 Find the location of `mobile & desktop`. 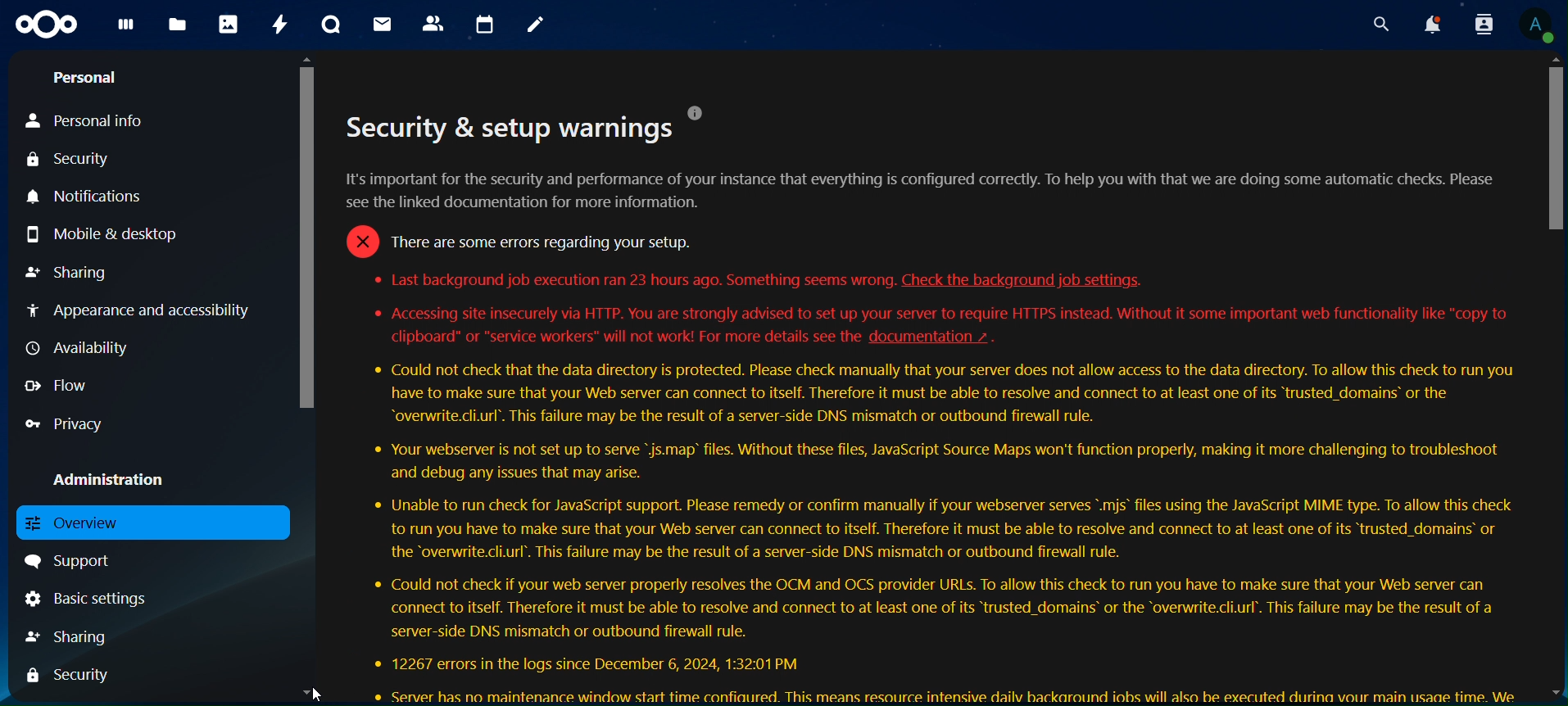

mobile & desktop is located at coordinates (103, 237).